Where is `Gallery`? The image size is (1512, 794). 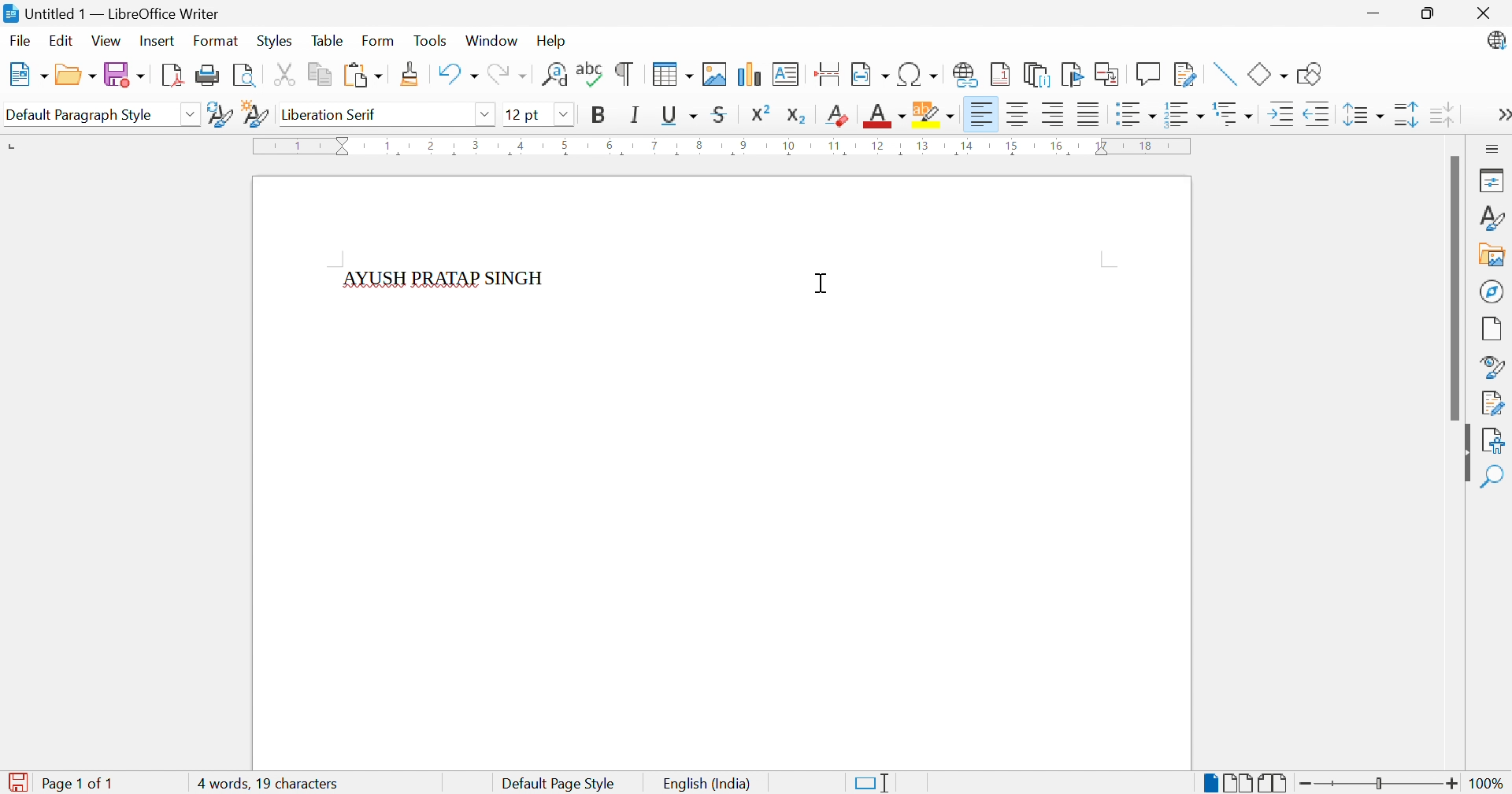
Gallery is located at coordinates (1492, 256).